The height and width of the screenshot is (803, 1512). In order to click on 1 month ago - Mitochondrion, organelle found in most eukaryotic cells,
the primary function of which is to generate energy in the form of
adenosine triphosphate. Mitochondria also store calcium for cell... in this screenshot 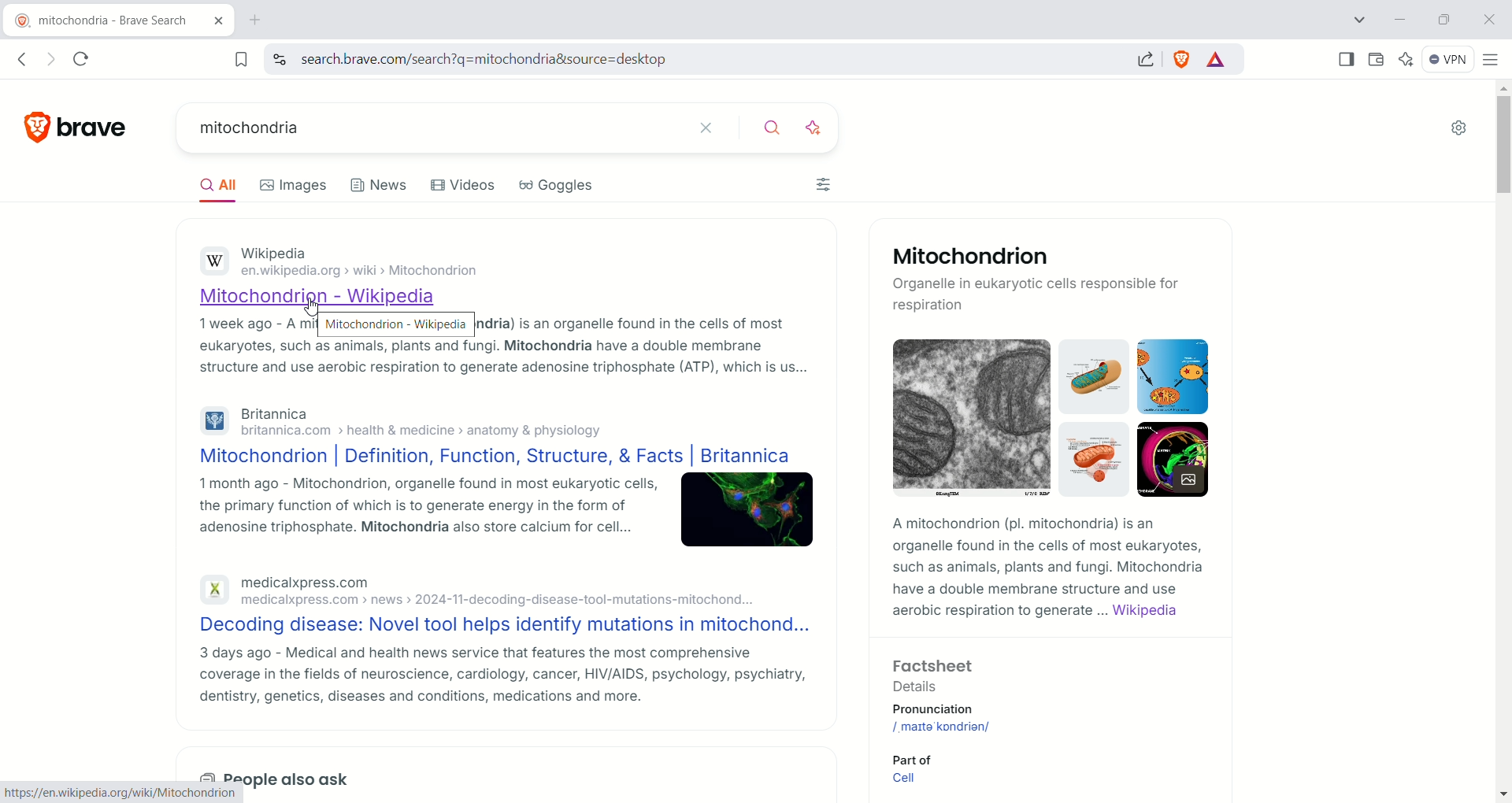, I will do `click(422, 513)`.